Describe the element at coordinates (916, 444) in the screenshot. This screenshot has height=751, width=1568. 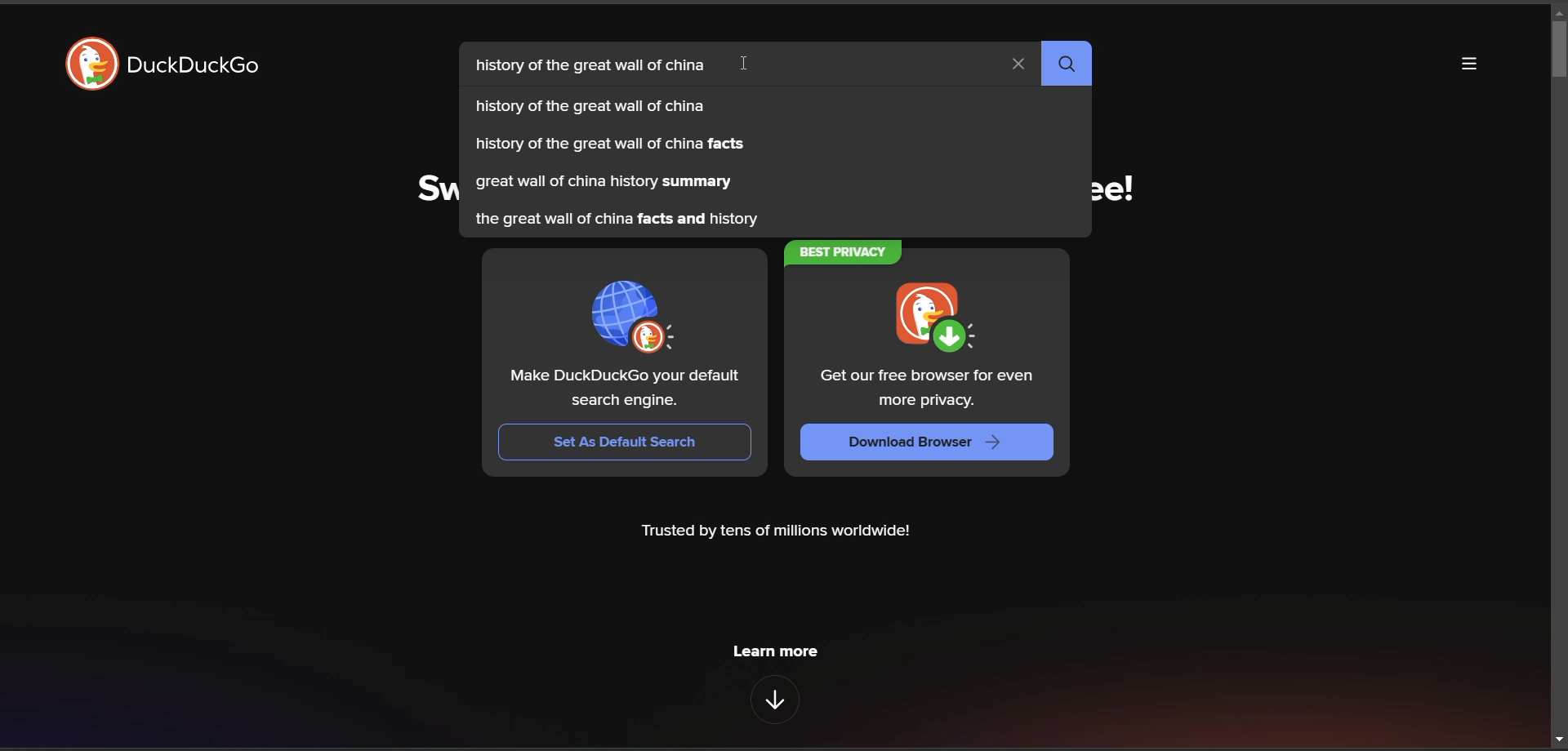
I see `download browser` at that location.